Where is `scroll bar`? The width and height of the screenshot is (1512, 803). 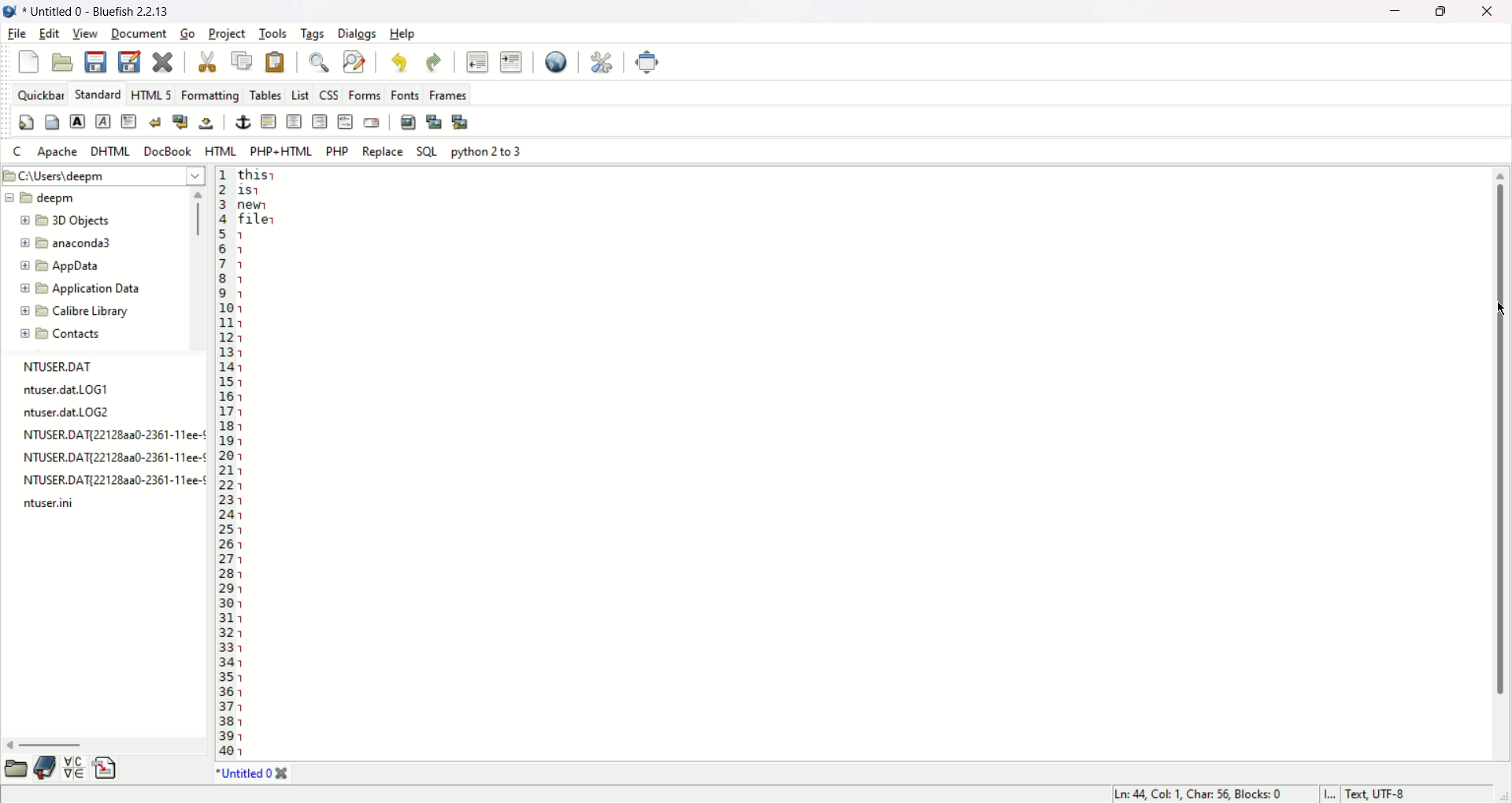
scroll bar is located at coordinates (1499, 435).